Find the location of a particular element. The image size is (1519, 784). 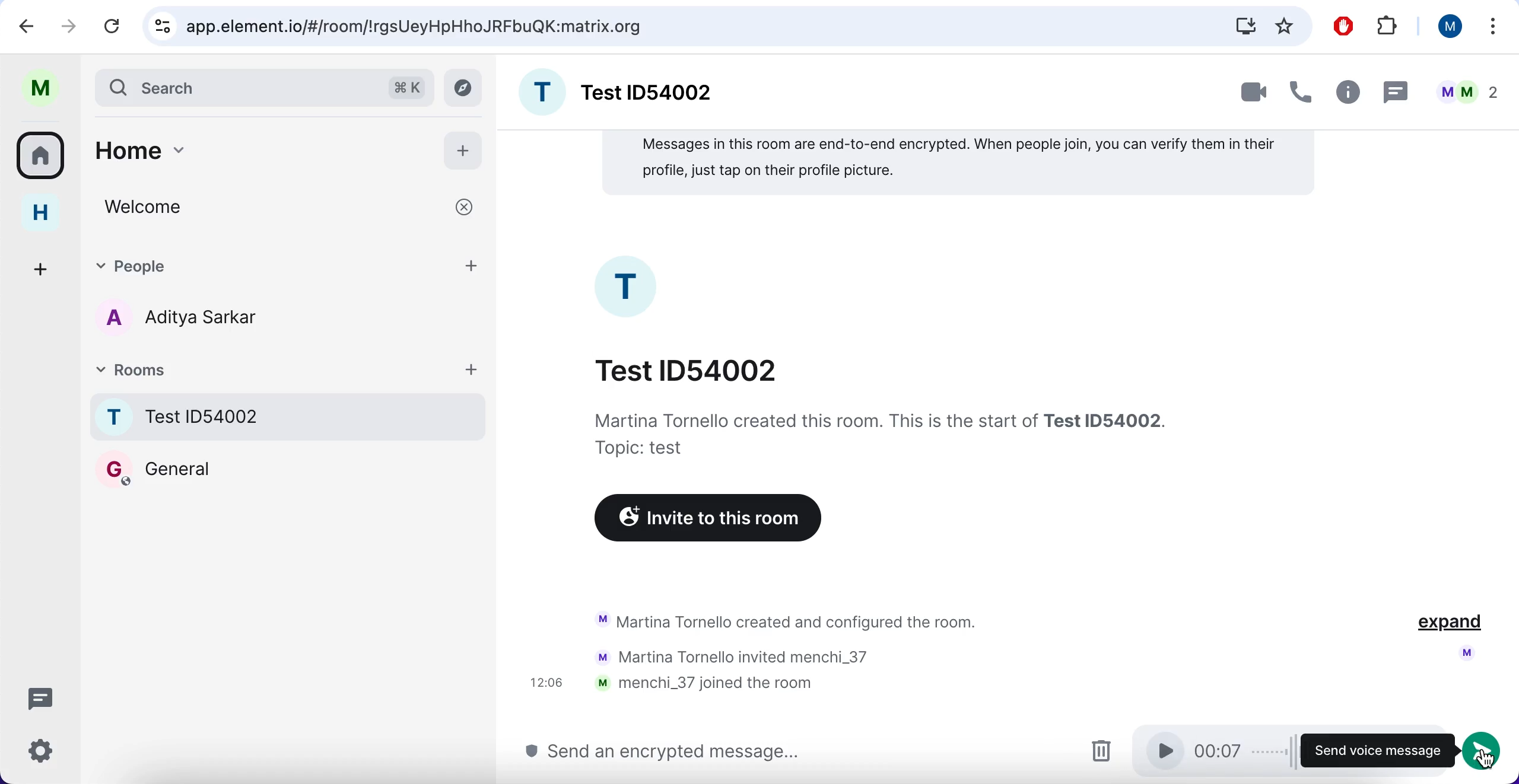

room name is located at coordinates (290, 416).